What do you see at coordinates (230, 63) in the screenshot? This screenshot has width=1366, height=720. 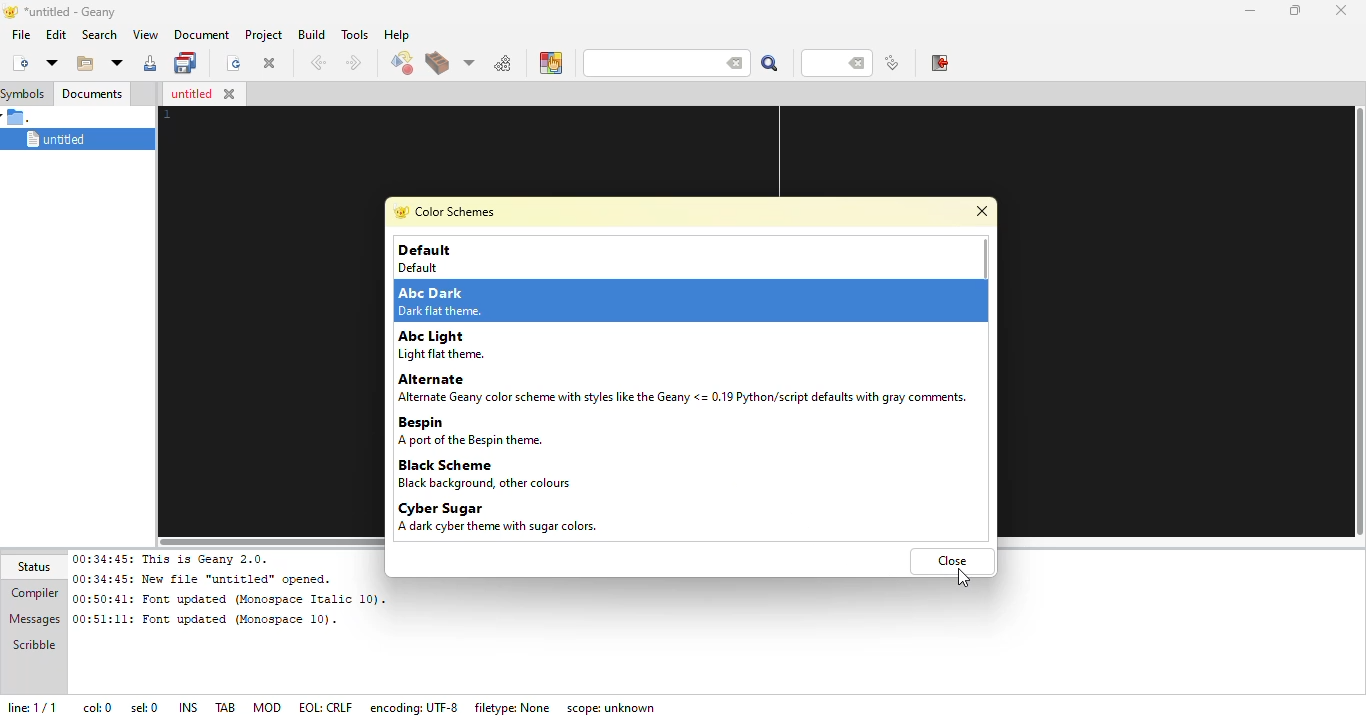 I see `reload` at bounding box center [230, 63].